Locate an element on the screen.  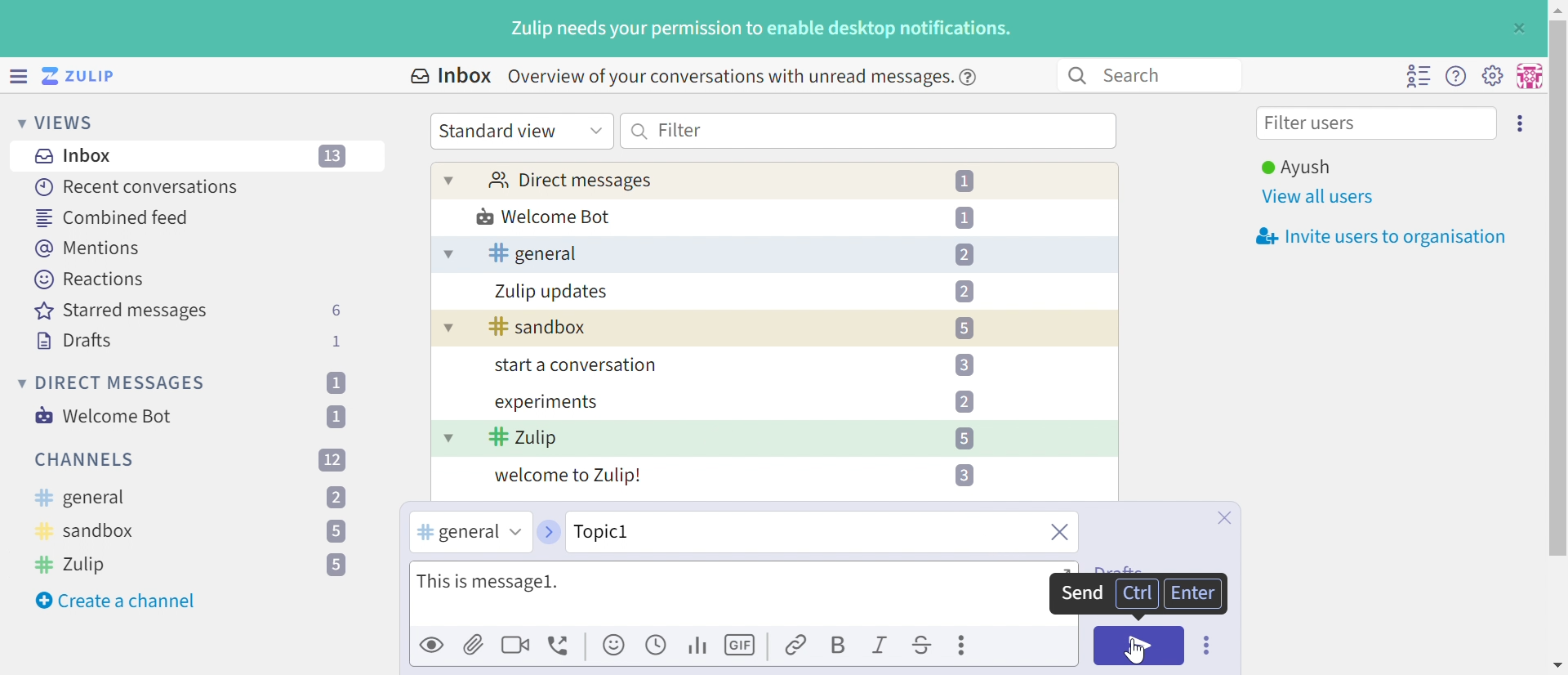
Ctrl is located at coordinates (1134, 594).